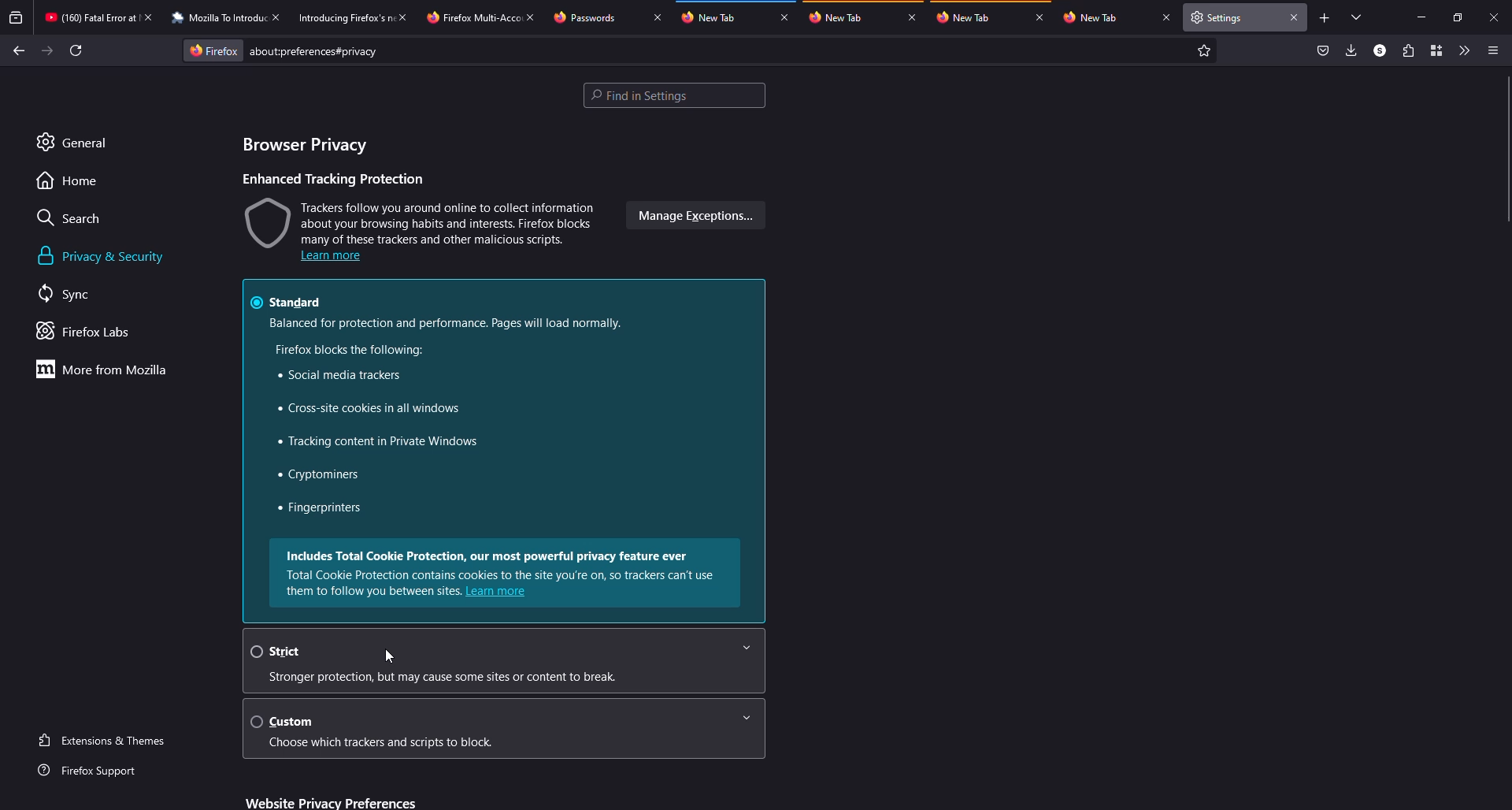 The width and height of the screenshot is (1512, 810). What do you see at coordinates (280, 17) in the screenshot?
I see `close` at bounding box center [280, 17].